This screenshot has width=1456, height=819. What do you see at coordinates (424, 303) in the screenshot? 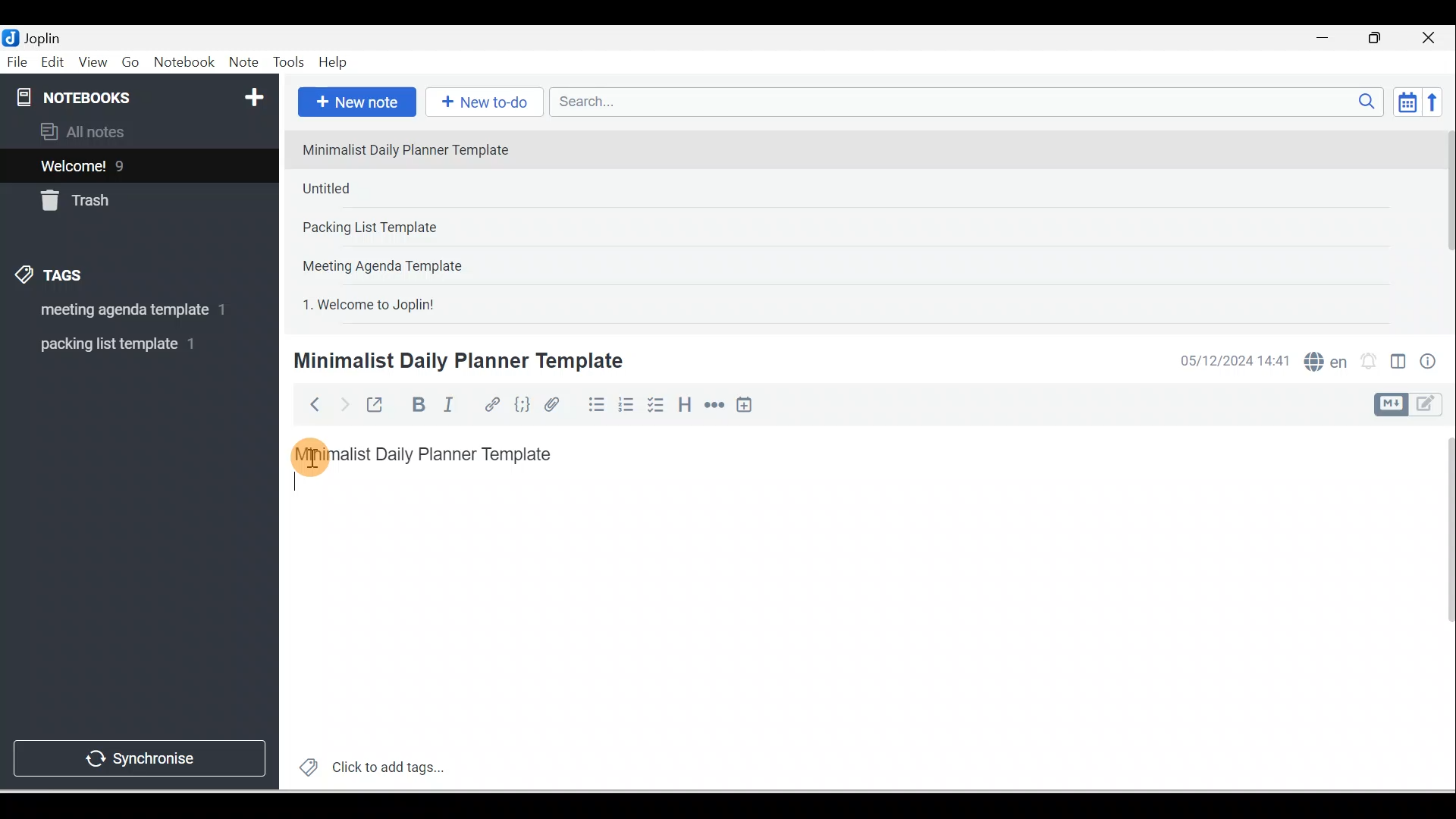
I see `Note 5` at bounding box center [424, 303].